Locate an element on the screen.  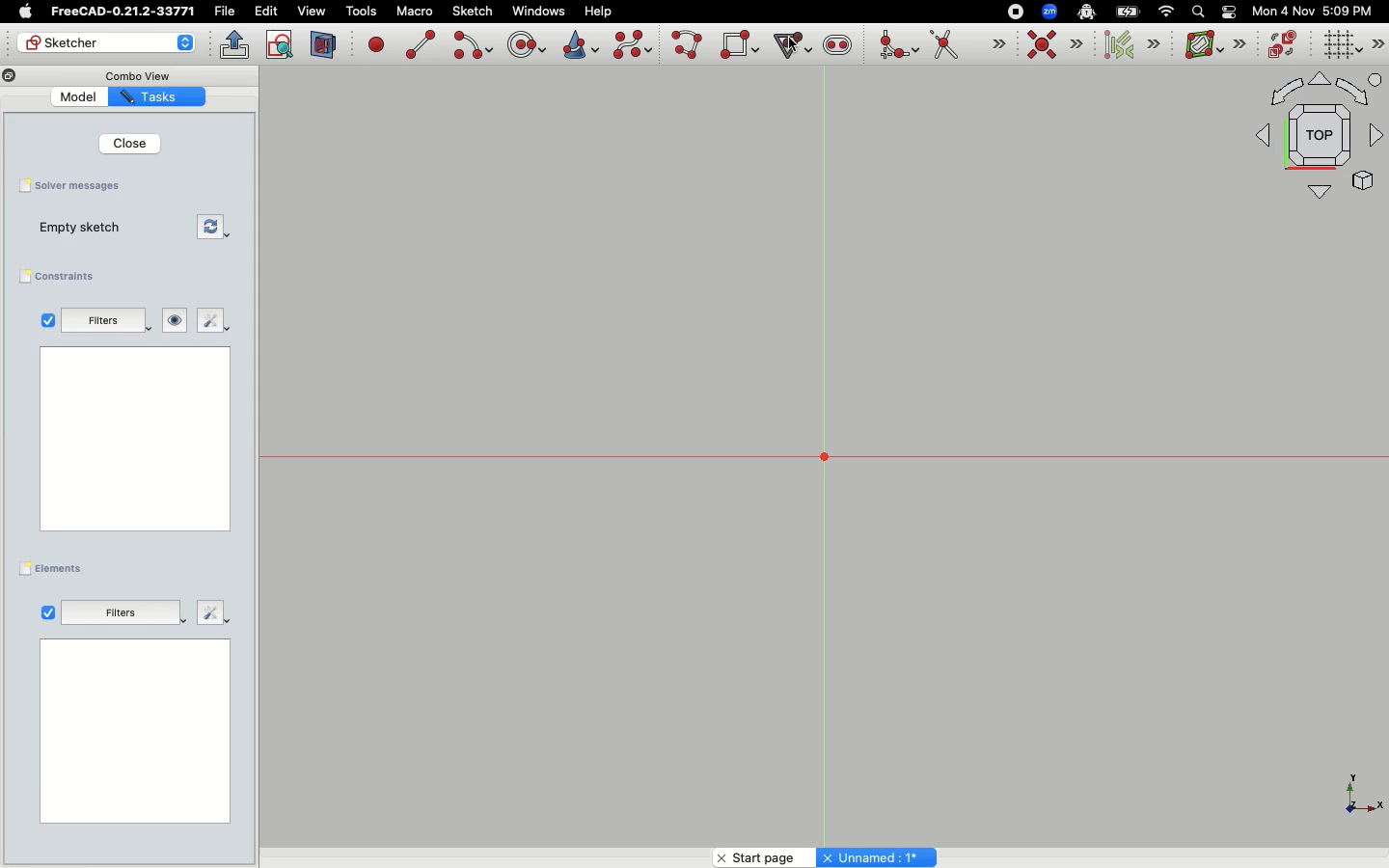
Create arc is located at coordinates (472, 45).